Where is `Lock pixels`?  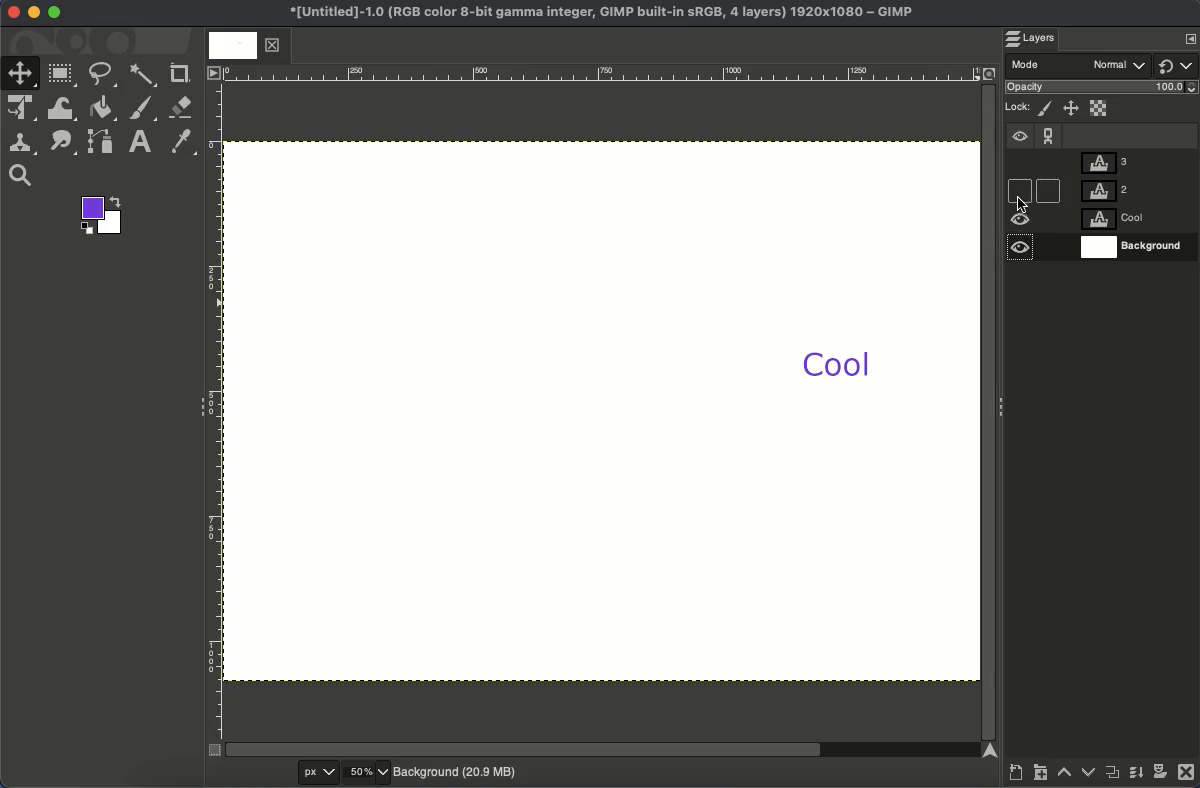 Lock pixels is located at coordinates (1047, 109).